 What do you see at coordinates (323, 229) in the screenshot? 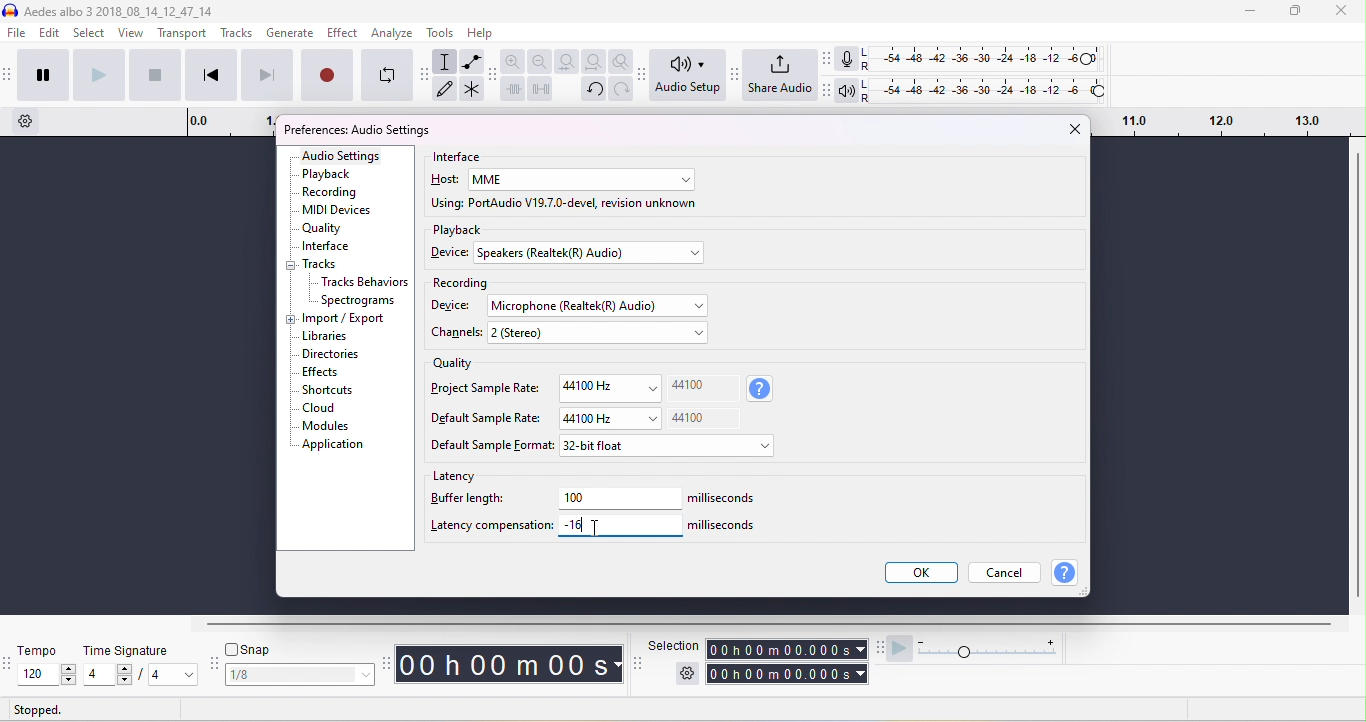
I see `quality` at bounding box center [323, 229].